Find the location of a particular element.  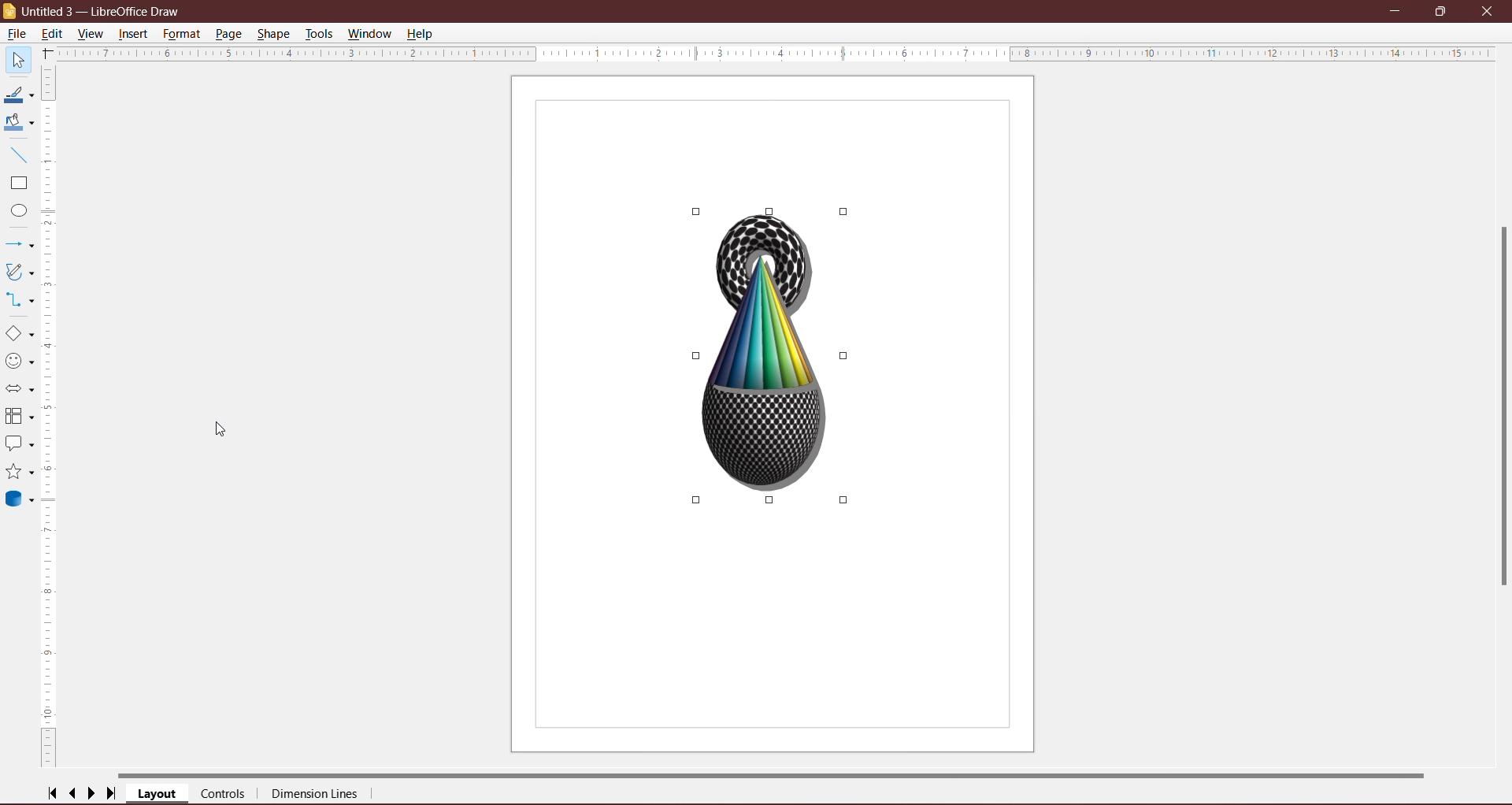

3D Objects is located at coordinates (22, 501).